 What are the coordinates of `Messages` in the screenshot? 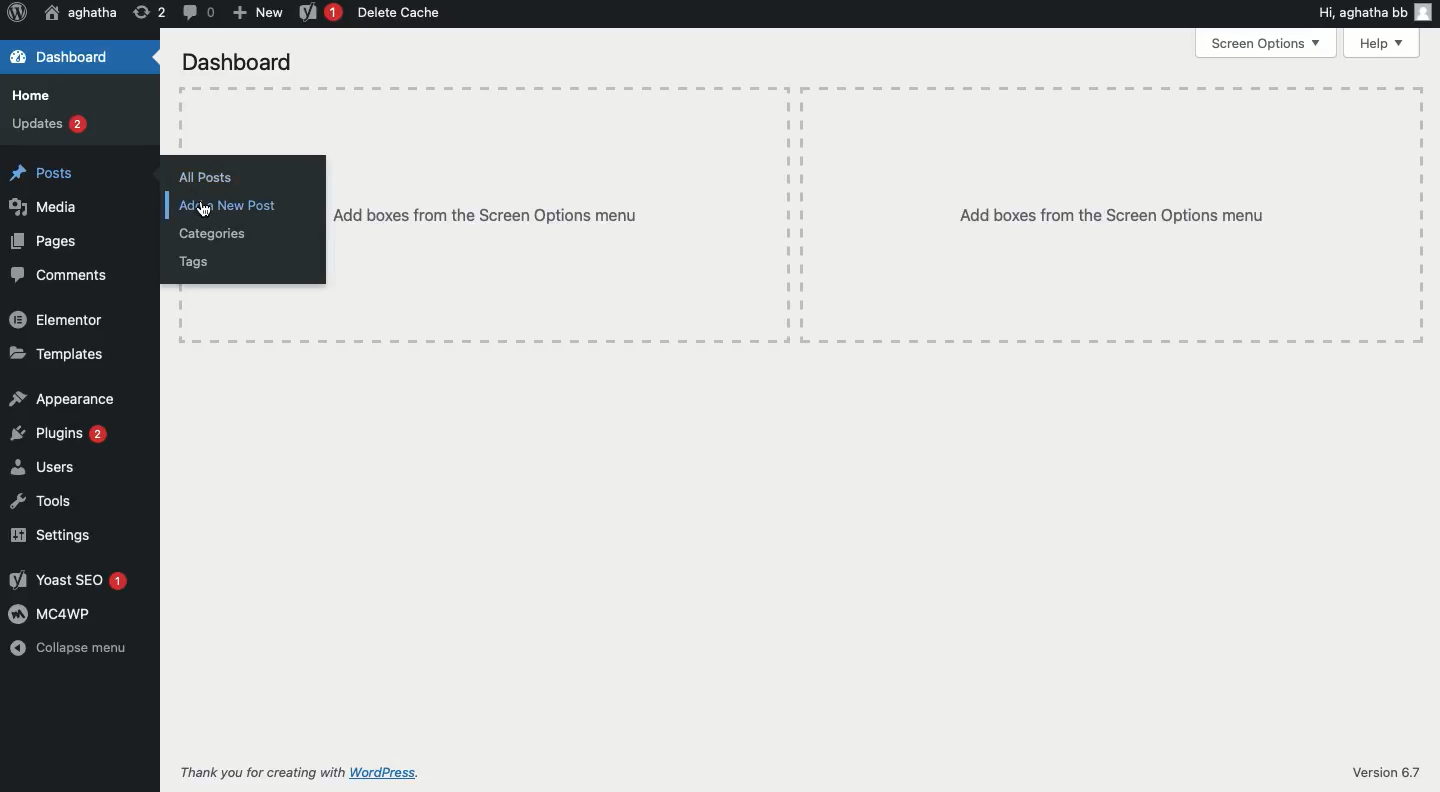 It's located at (200, 12).